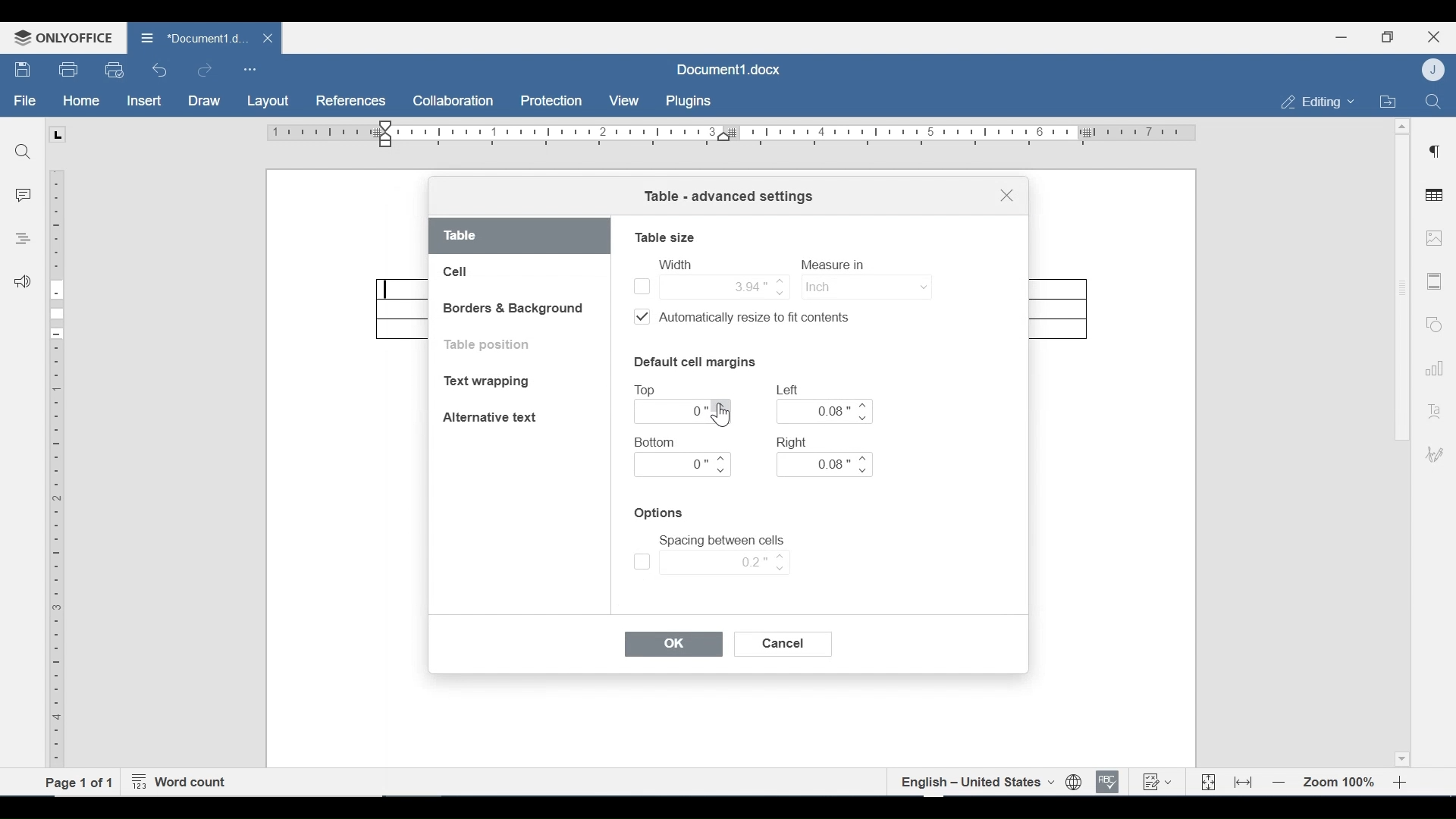  Describe the element at coordinates (1006, 198) in the screenshot. I see `Close` at that location.